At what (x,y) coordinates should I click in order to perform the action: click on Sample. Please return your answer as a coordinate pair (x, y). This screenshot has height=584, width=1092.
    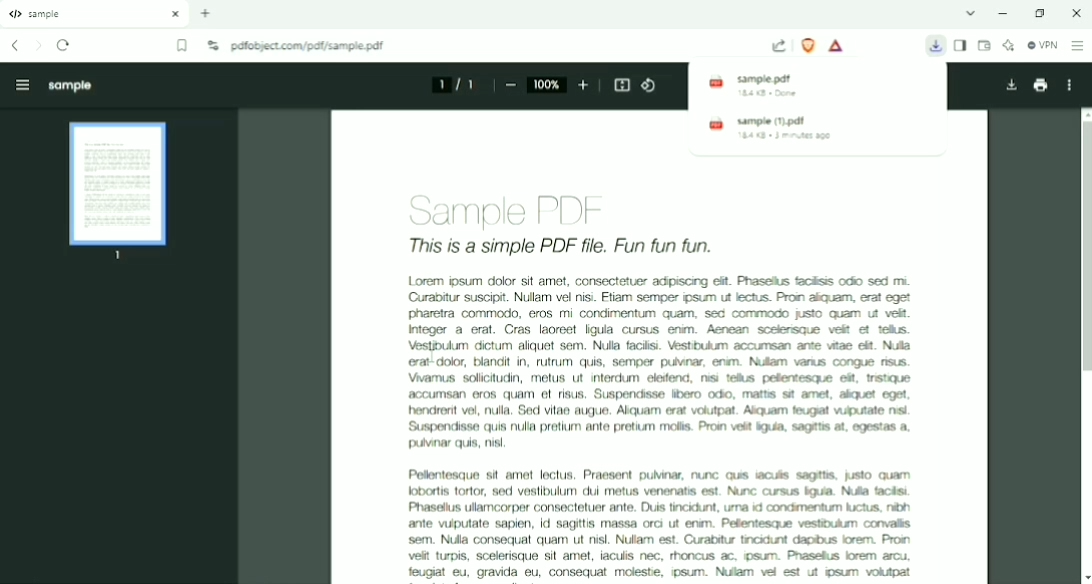
    Looking at the image, I should click on (70, 86).